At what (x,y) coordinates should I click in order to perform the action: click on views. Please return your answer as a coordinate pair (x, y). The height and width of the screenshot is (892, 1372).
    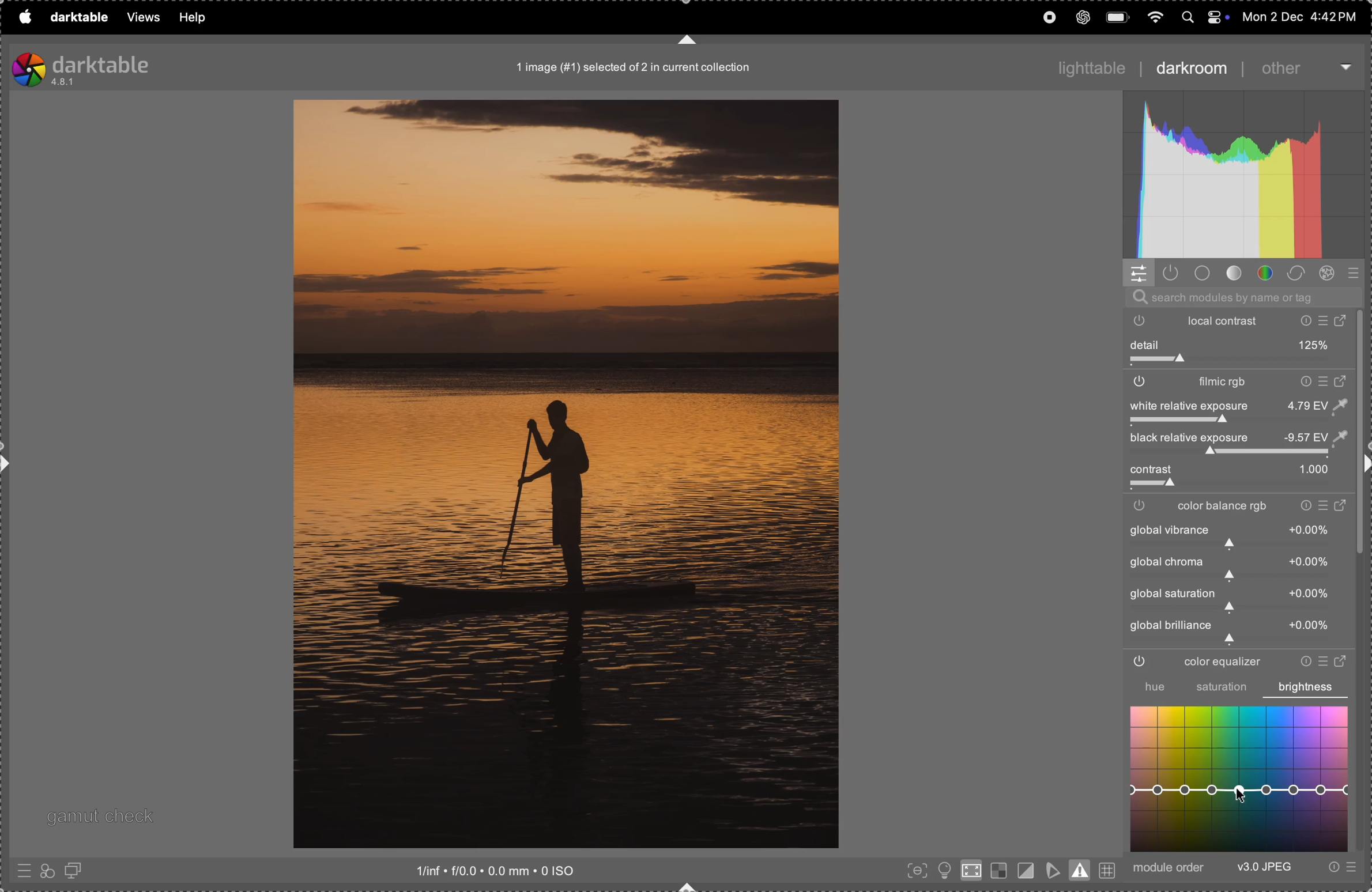
    Looking at the image, I should click on (139, 18).